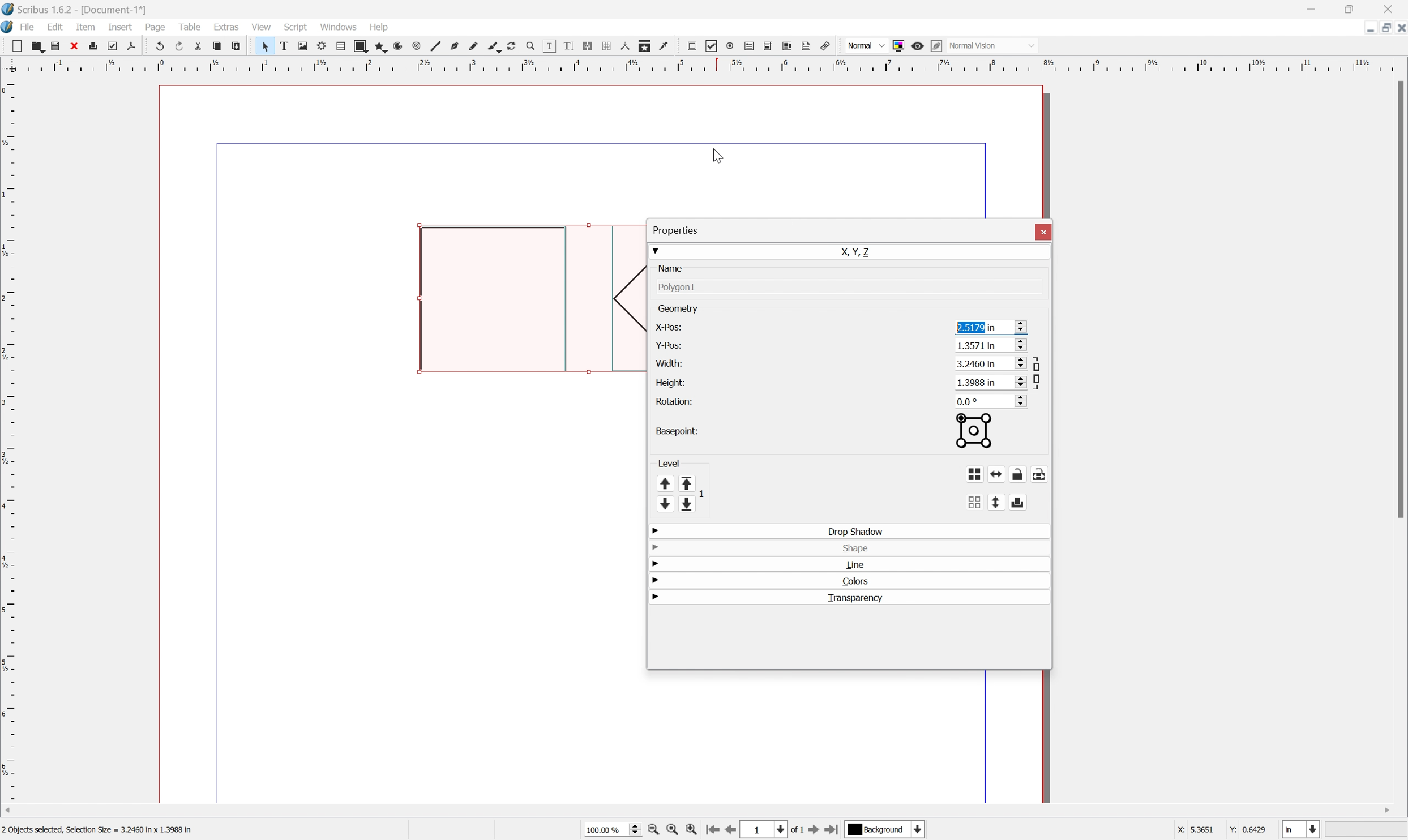 The image size is (1408, 840). I want to click on file, so click(29, 26).